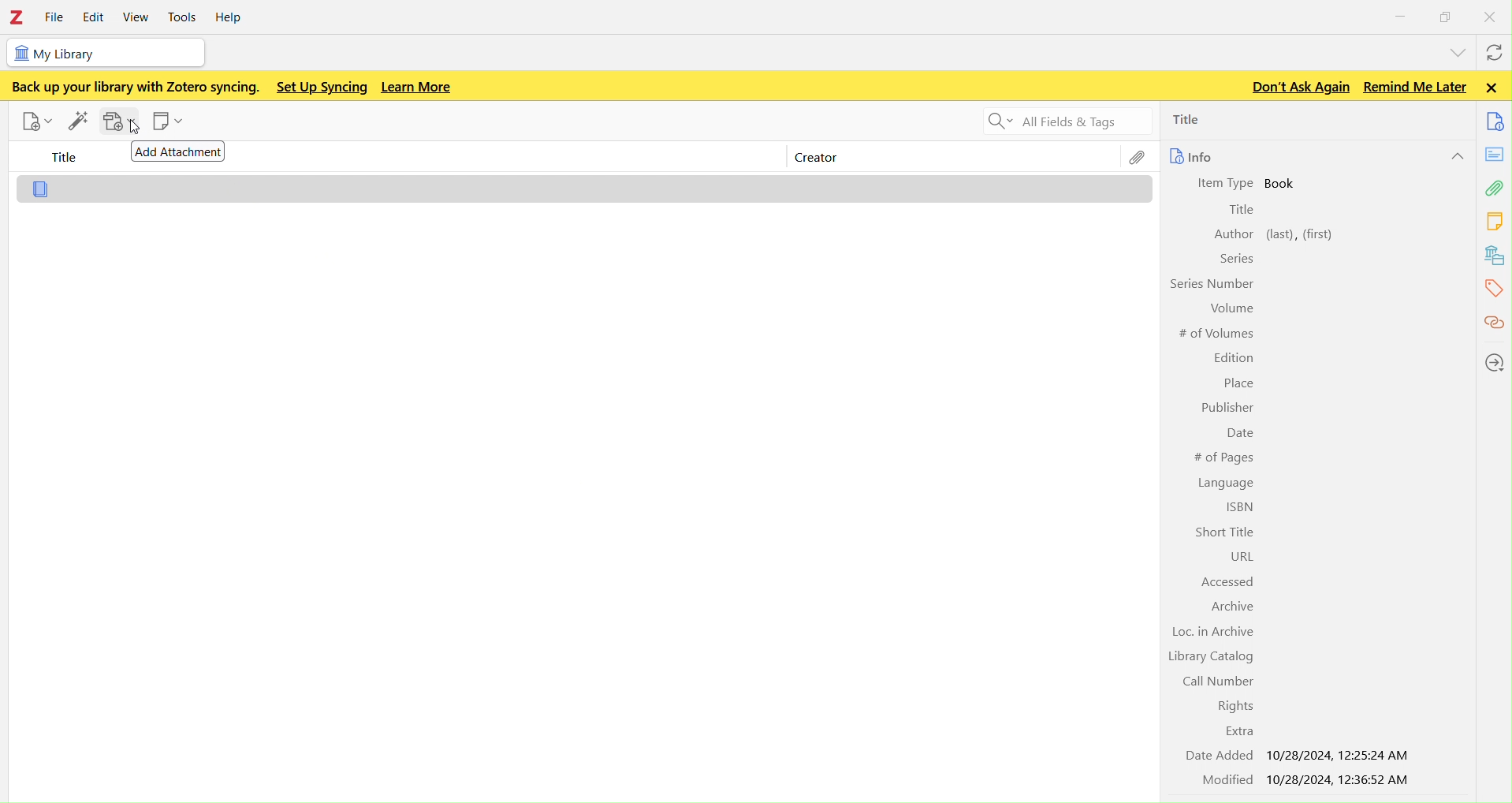  What do you see at coordinates (1063, 121) in the screenshot?
I see `Search all fields and tags` at bounding box center [1063, 121].